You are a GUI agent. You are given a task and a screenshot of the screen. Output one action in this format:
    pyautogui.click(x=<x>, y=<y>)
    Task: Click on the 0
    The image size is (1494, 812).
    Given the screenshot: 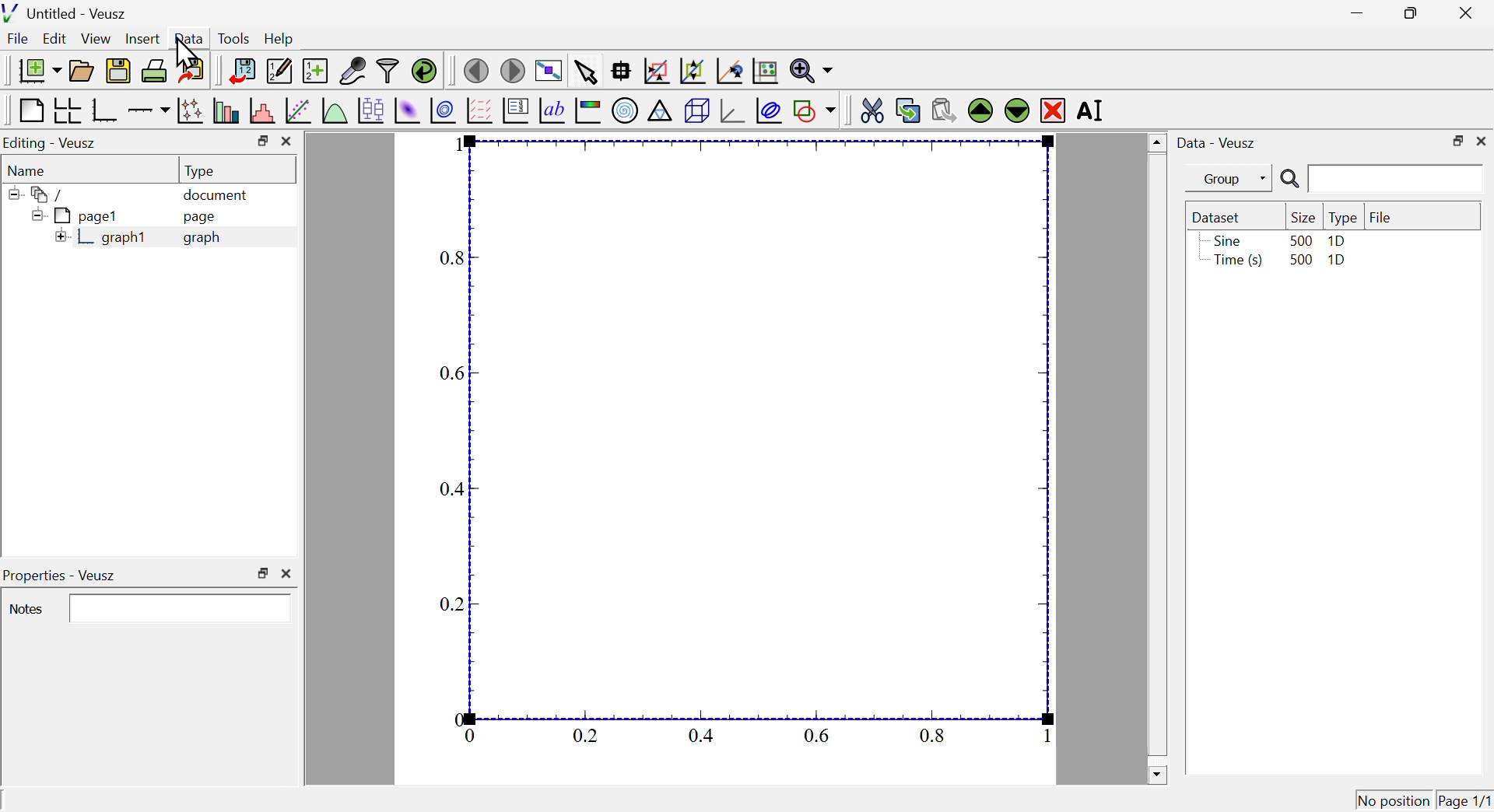 What is the action you would take?
    pyautogui.click(x=458, y=718)
    